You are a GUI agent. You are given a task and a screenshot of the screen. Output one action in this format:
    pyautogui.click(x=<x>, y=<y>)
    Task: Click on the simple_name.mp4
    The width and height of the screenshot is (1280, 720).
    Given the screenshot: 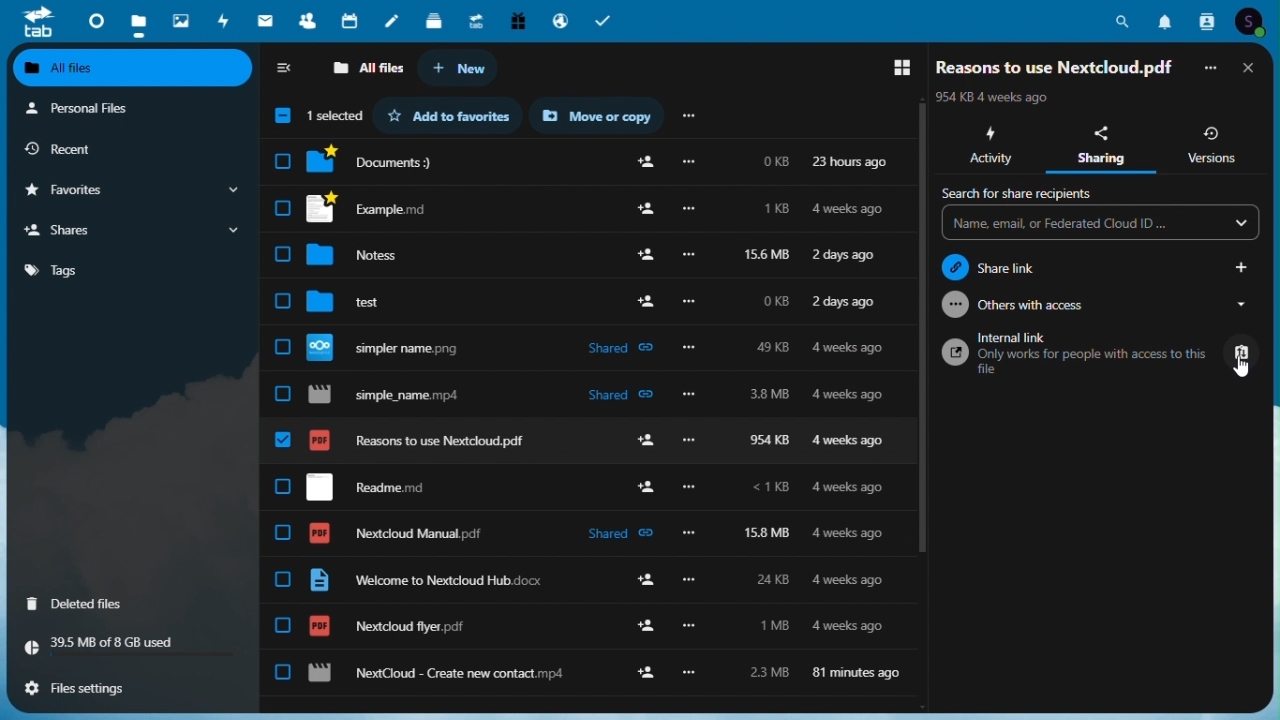 What is the action you would take?
    pyautogui.click(x=392, y=395)
    